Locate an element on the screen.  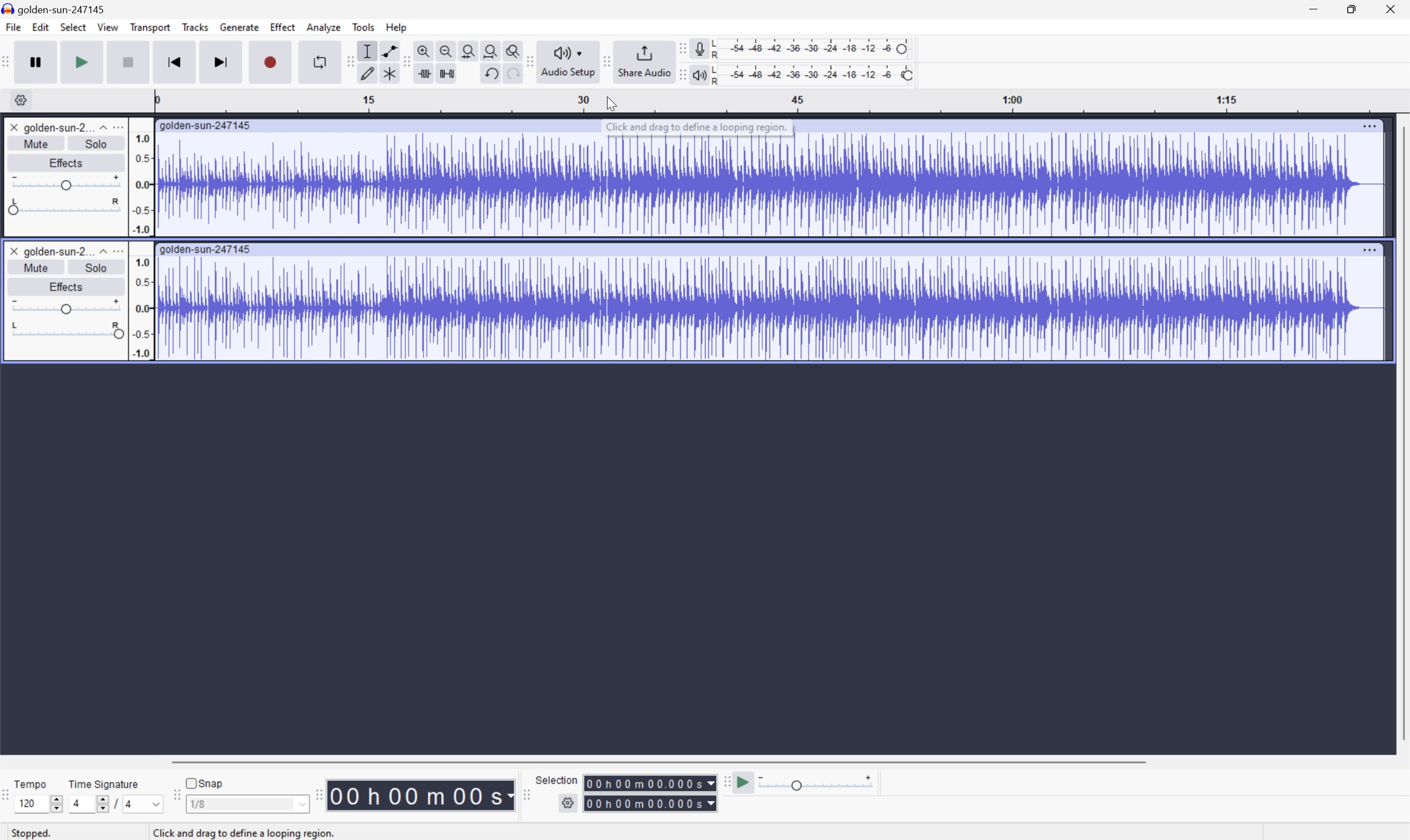
Play is located at coordinates (85, 62).